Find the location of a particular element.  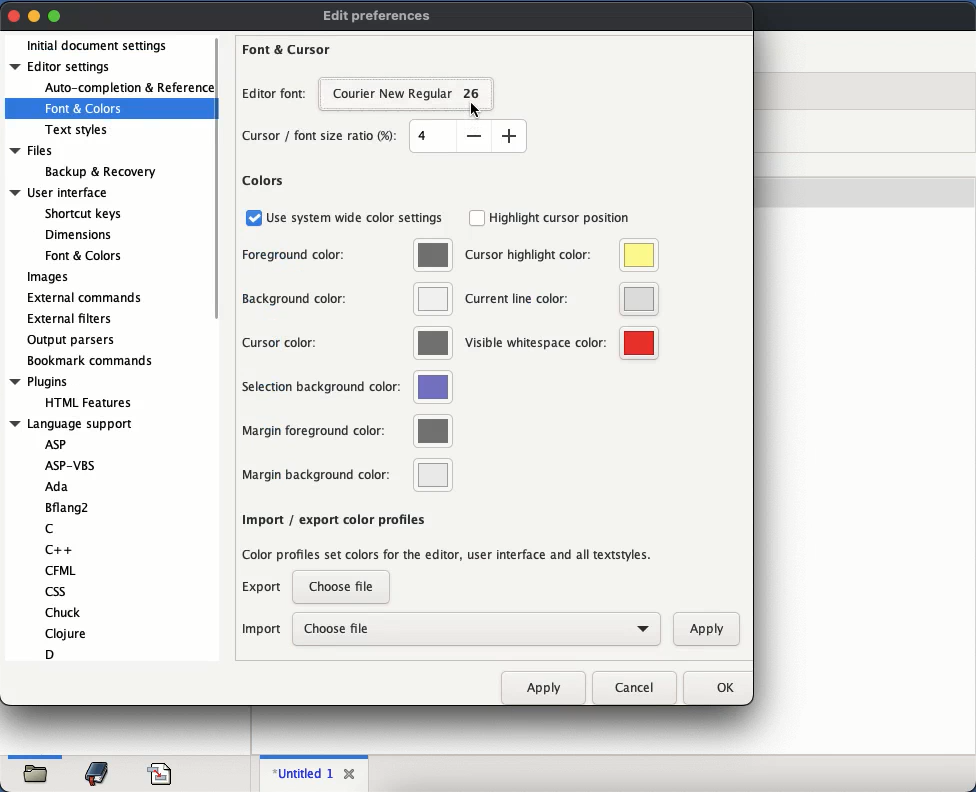

Bflang2 is located at coordinates (67, 507).